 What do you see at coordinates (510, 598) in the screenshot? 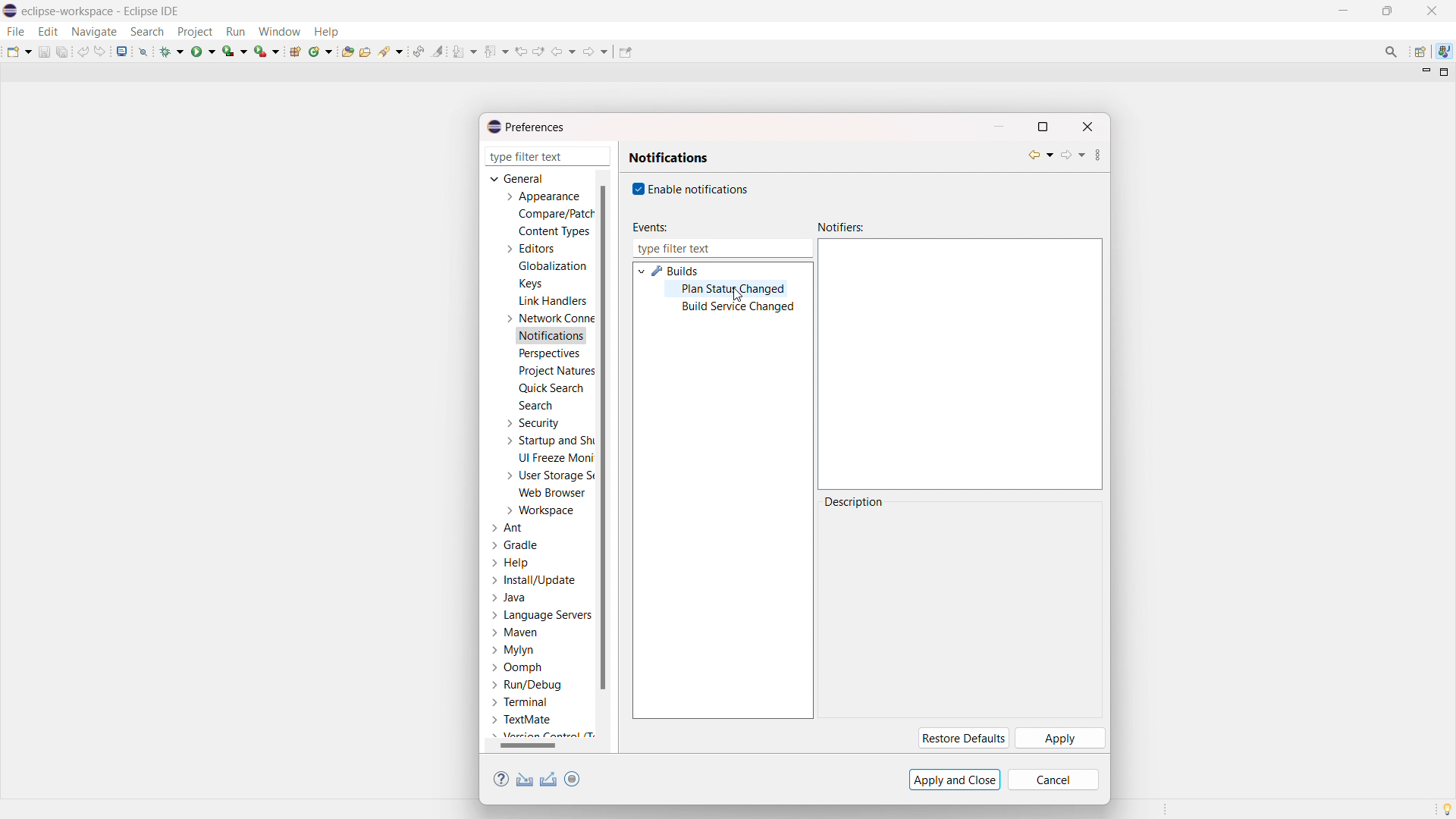
I see `java` at bounding box center [510, 598].